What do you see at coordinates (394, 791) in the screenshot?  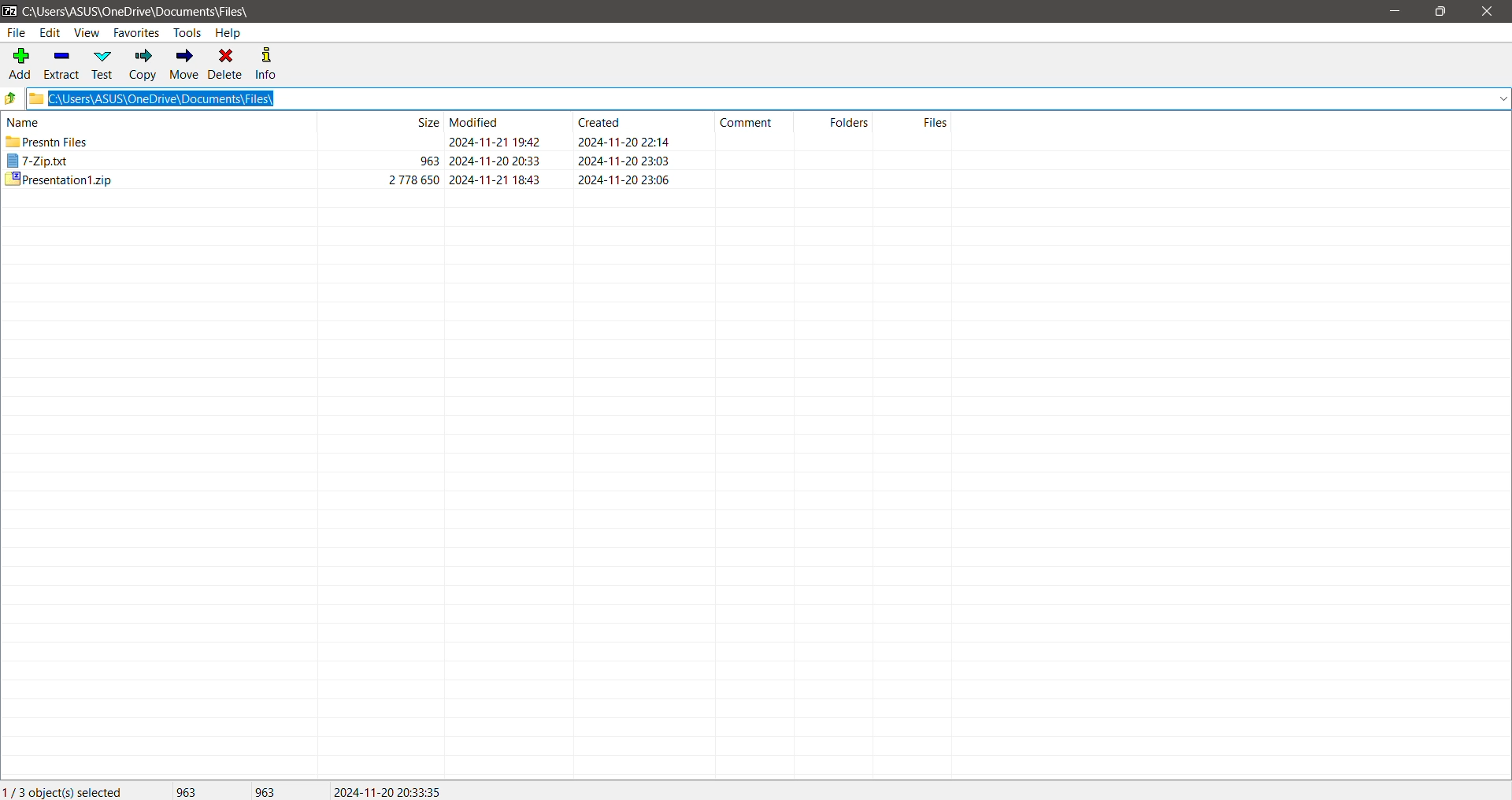 I see `Modified Date of the last selected file` at bounding box center [394, 791].